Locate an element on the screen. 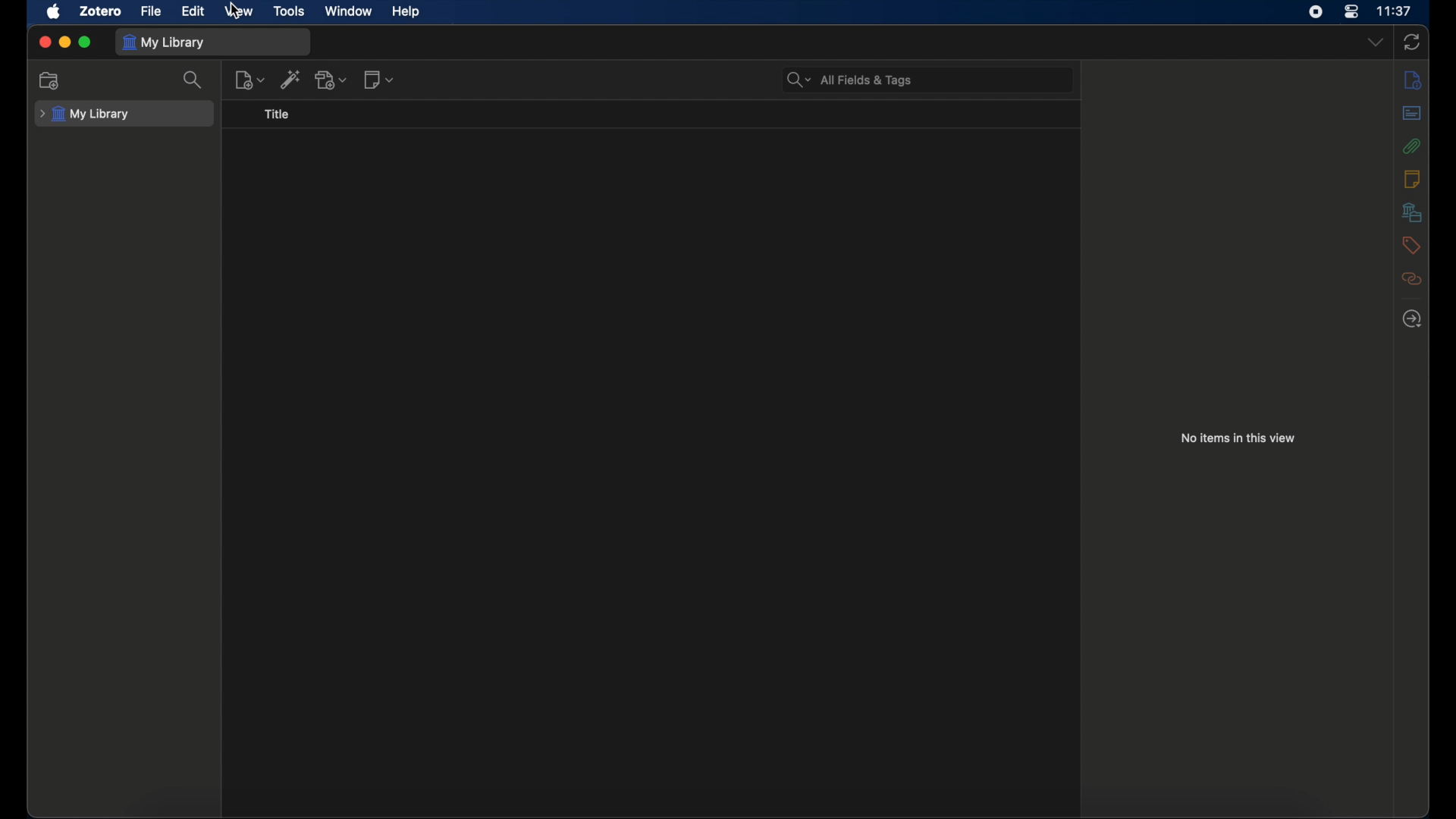 The image size is (1456, 819). title is located at coordinates (277, 114).